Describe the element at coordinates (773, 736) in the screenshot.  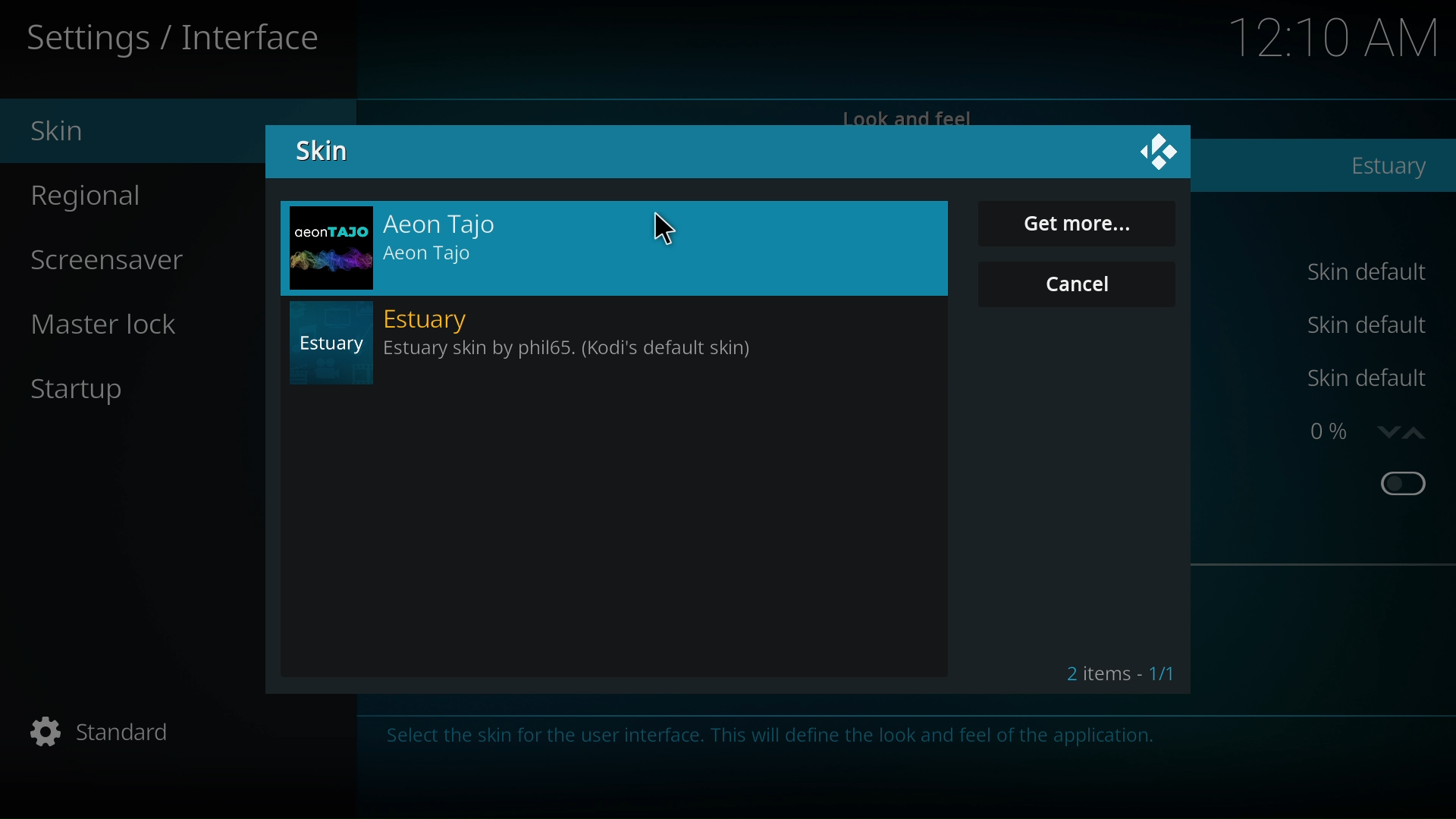
I see `Select the skin for the user interface. This will define the look and feel of the application.` at that location.